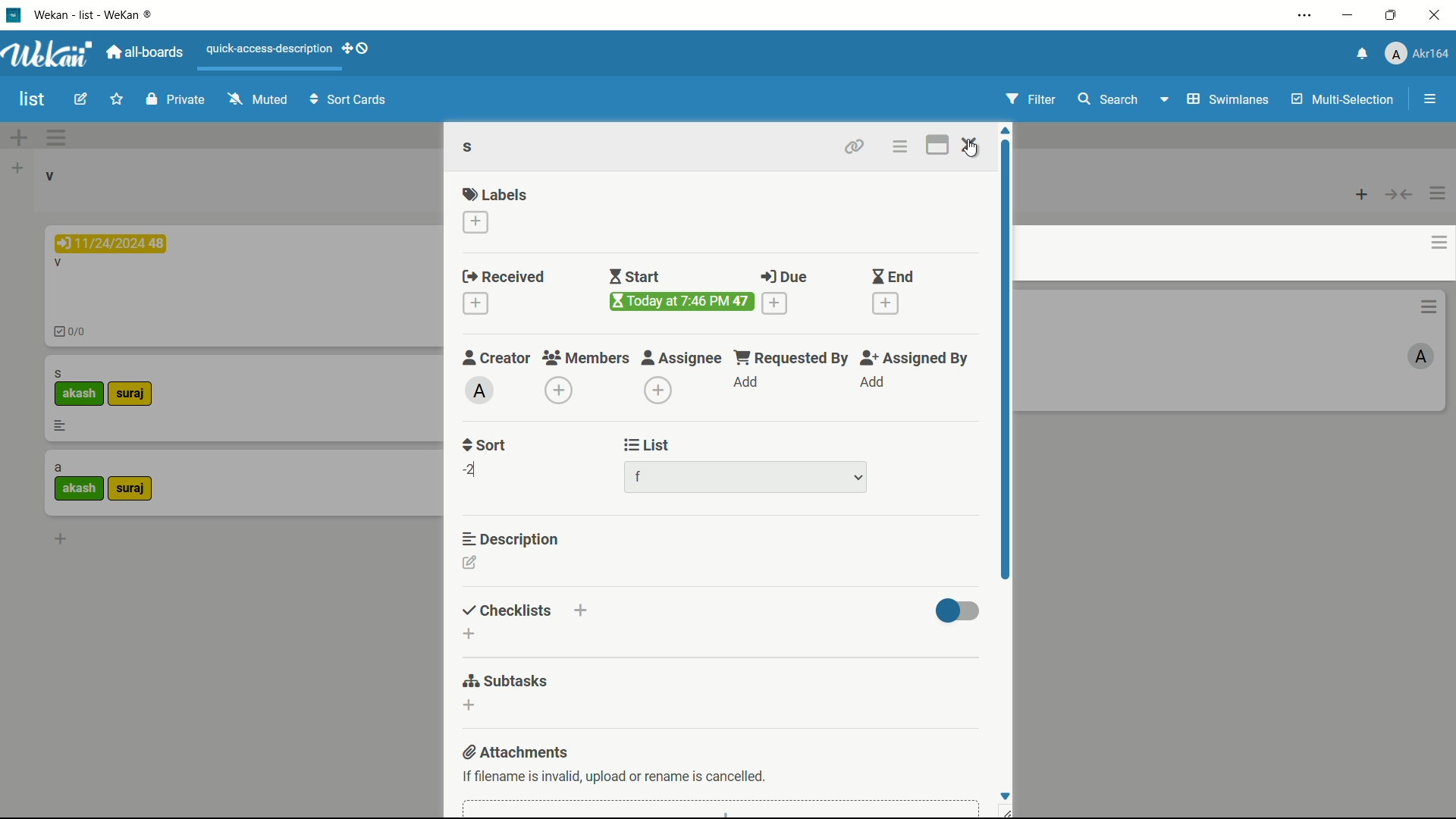 The height and width of the screenshot is (819, 1456). Describe the element at coordinates (1166, 99) in the screenshot. I see `Drop-down ` at that location.